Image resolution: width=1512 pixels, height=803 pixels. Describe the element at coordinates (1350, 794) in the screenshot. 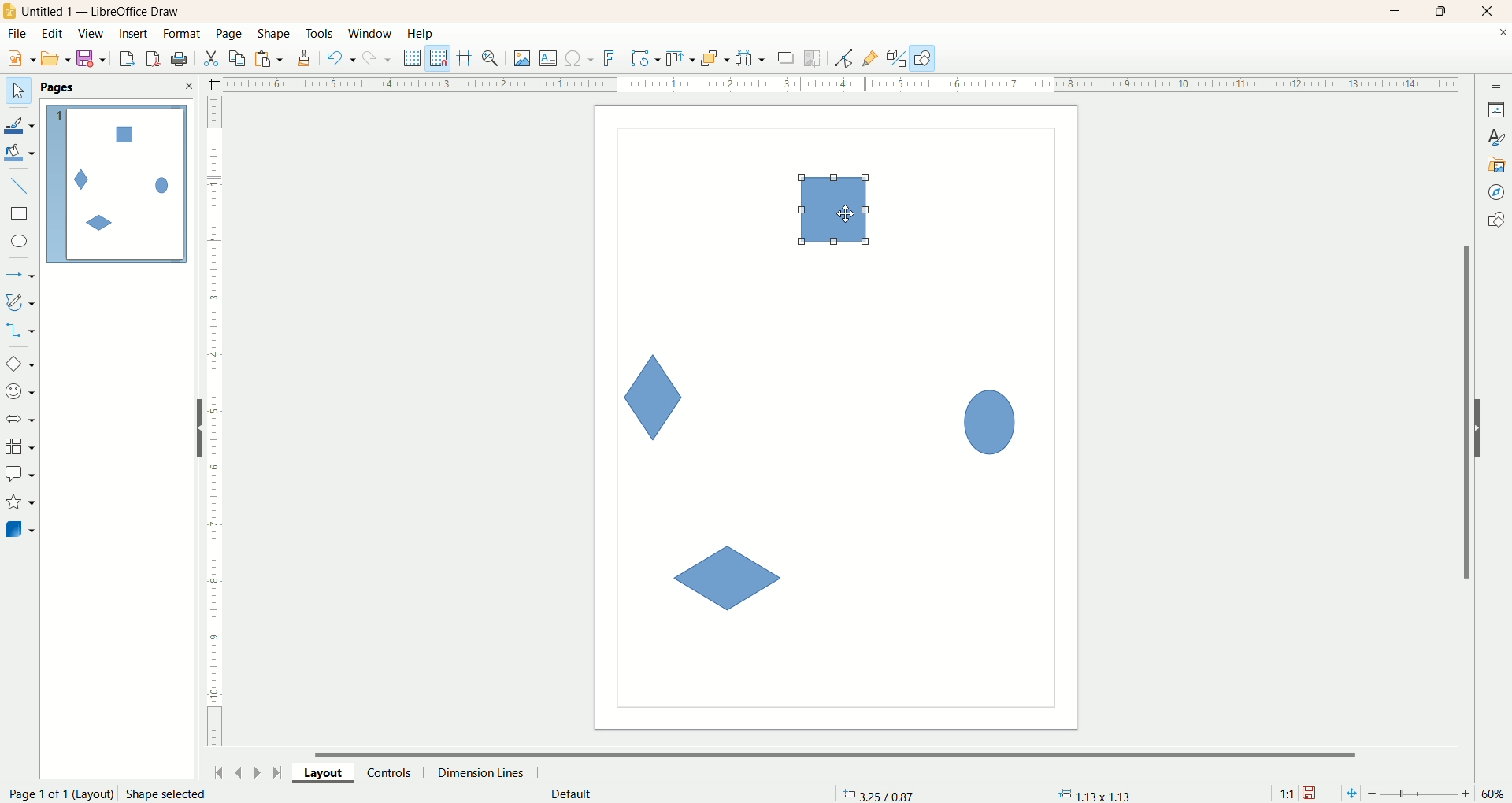

I see `fit to current window` at that location.